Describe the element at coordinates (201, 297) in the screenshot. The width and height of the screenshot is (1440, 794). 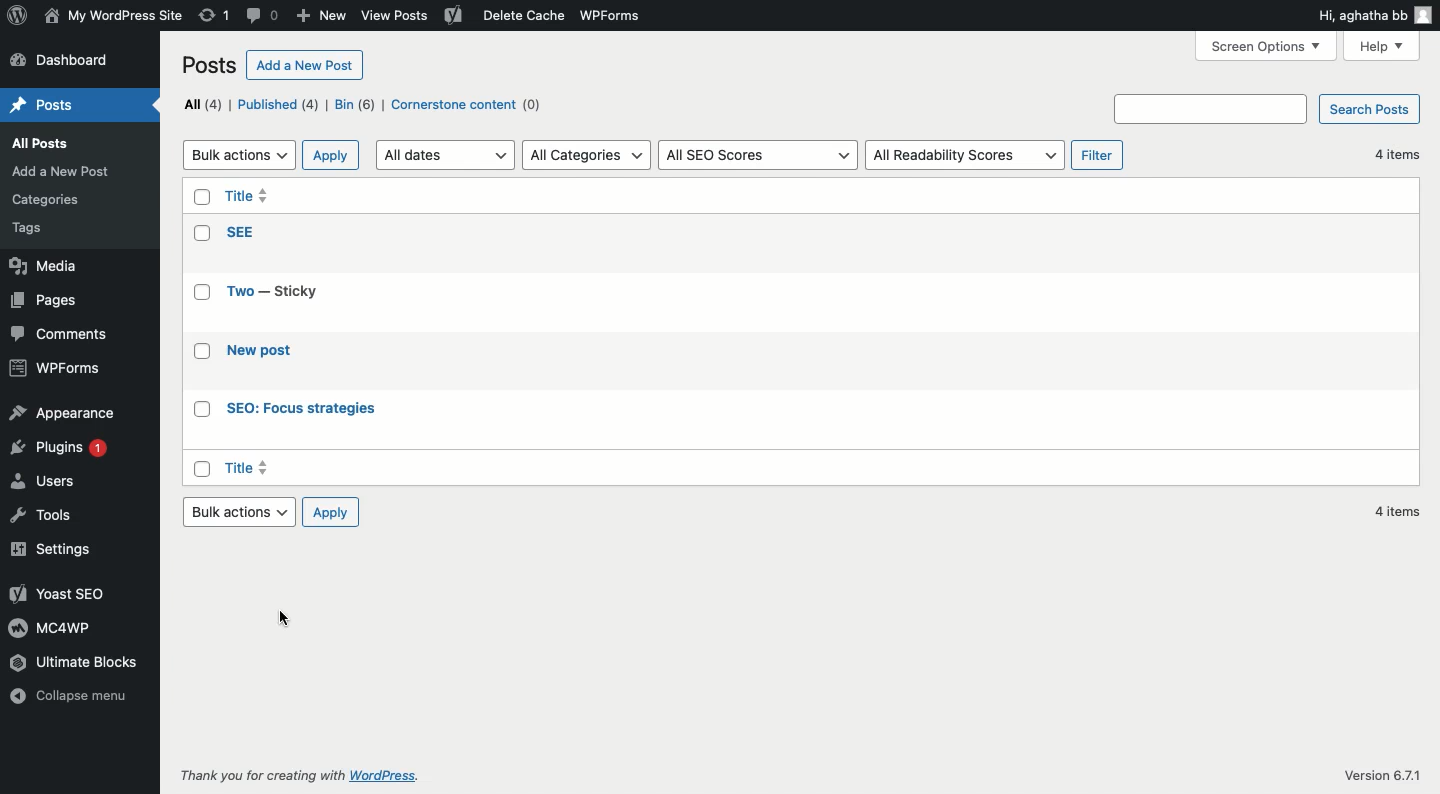
I see `Checkbox` at that location.